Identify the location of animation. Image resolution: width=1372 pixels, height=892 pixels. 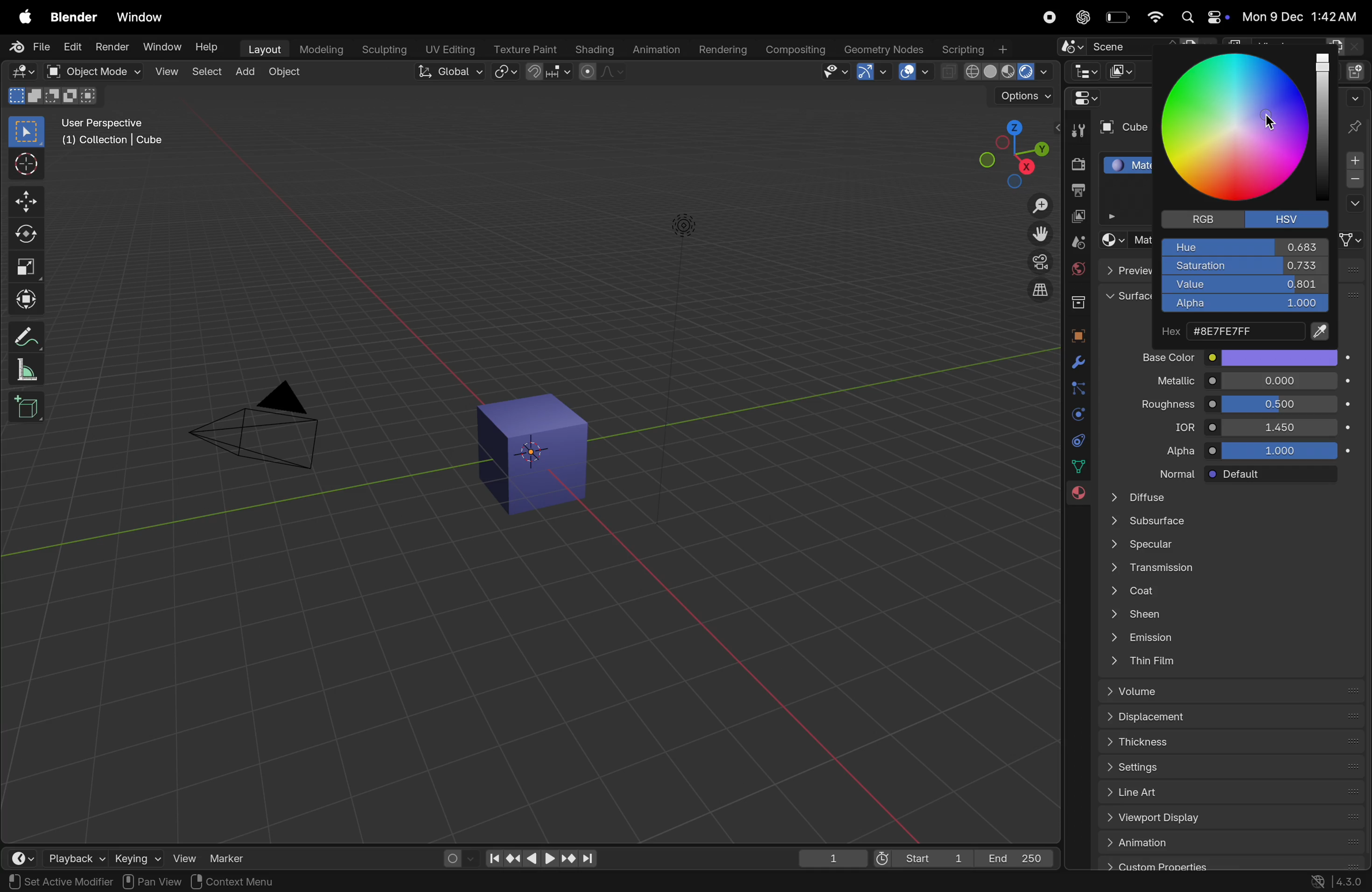
(655, 51).